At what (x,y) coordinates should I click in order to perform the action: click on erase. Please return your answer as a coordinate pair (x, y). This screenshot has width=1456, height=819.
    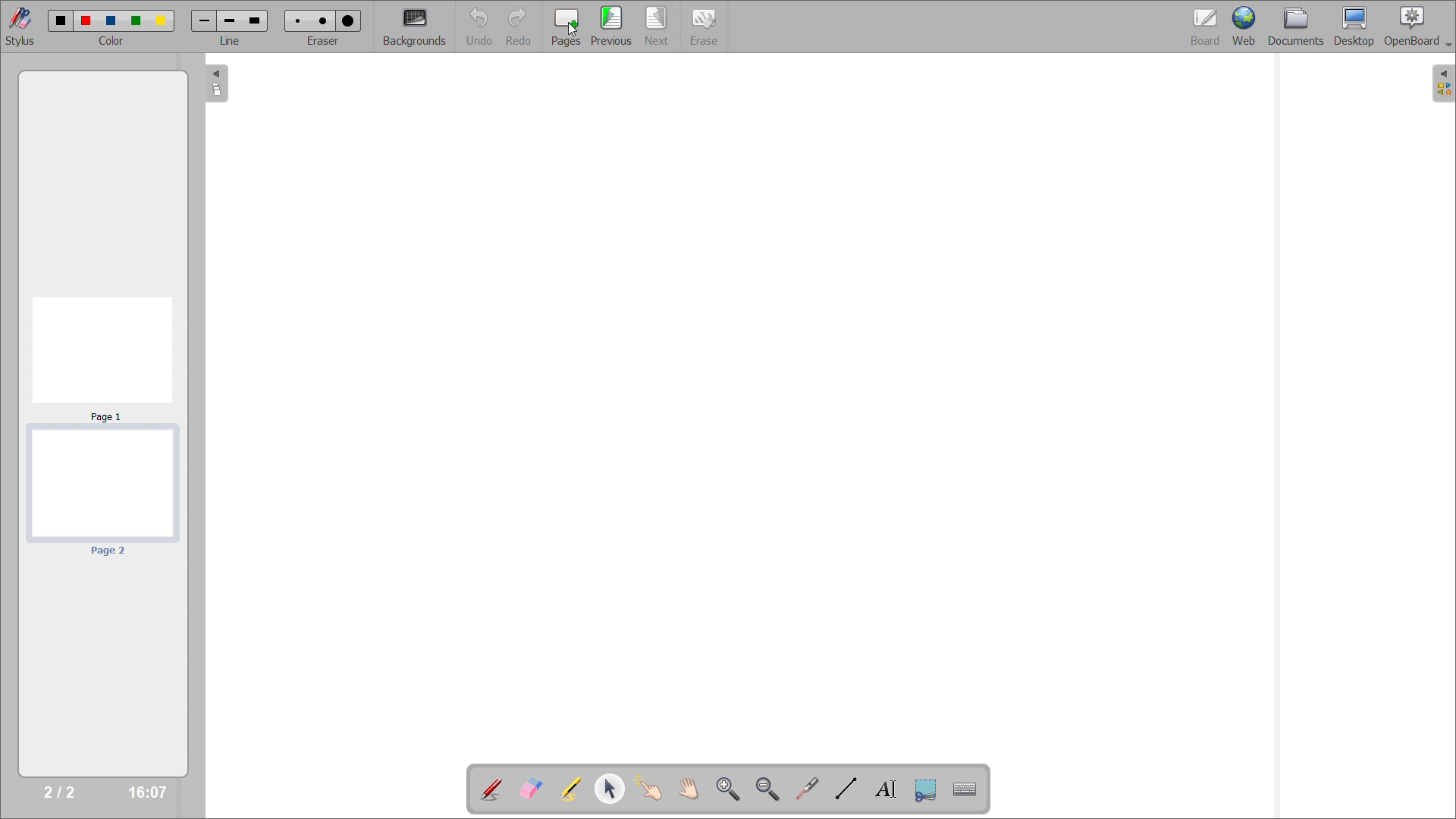
    Looking at the image, I should click on (707, 27).